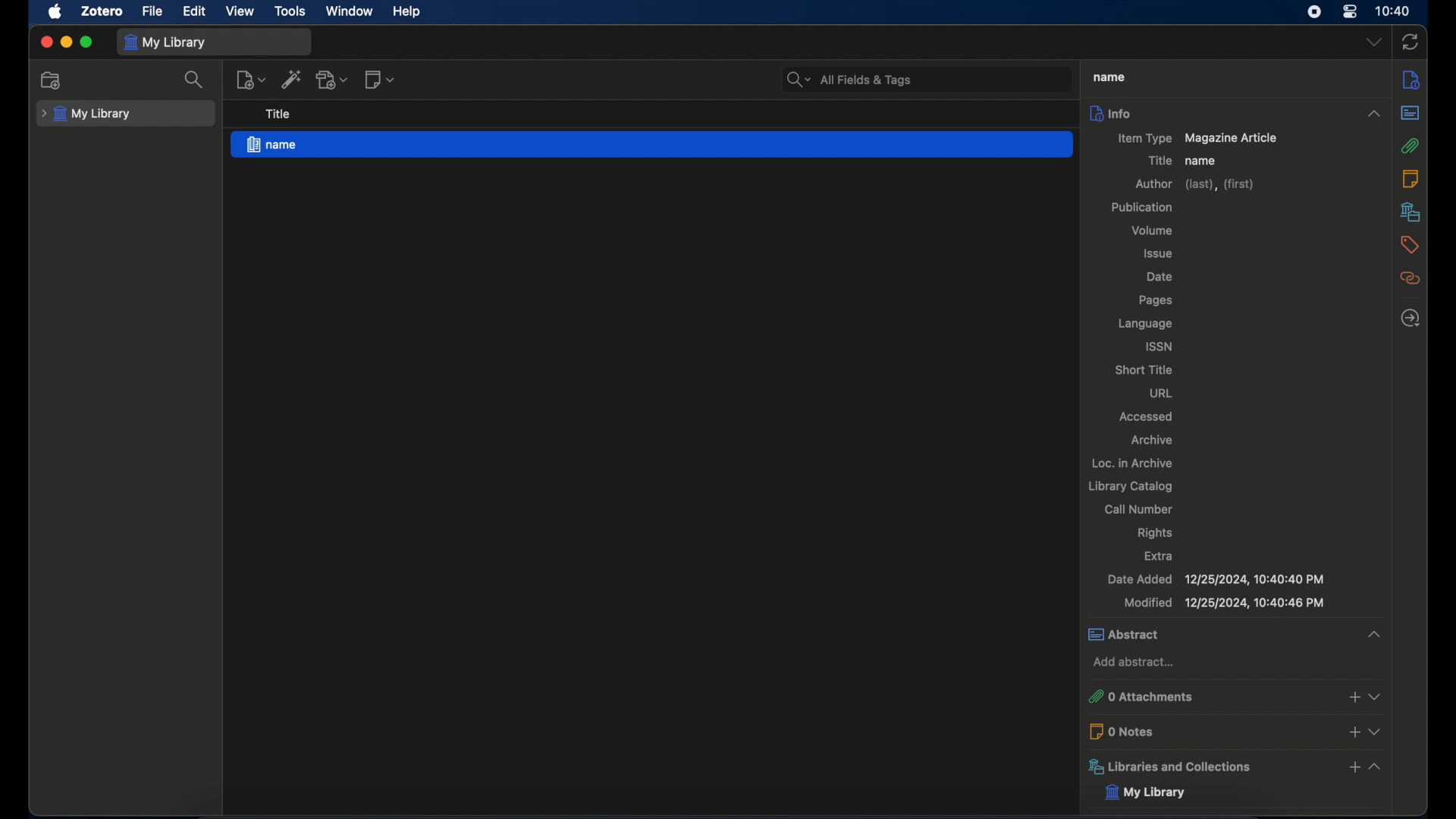 The width and height of the screenshot is (1456, 819). I want to click on add abstract, so click(1134, 662).